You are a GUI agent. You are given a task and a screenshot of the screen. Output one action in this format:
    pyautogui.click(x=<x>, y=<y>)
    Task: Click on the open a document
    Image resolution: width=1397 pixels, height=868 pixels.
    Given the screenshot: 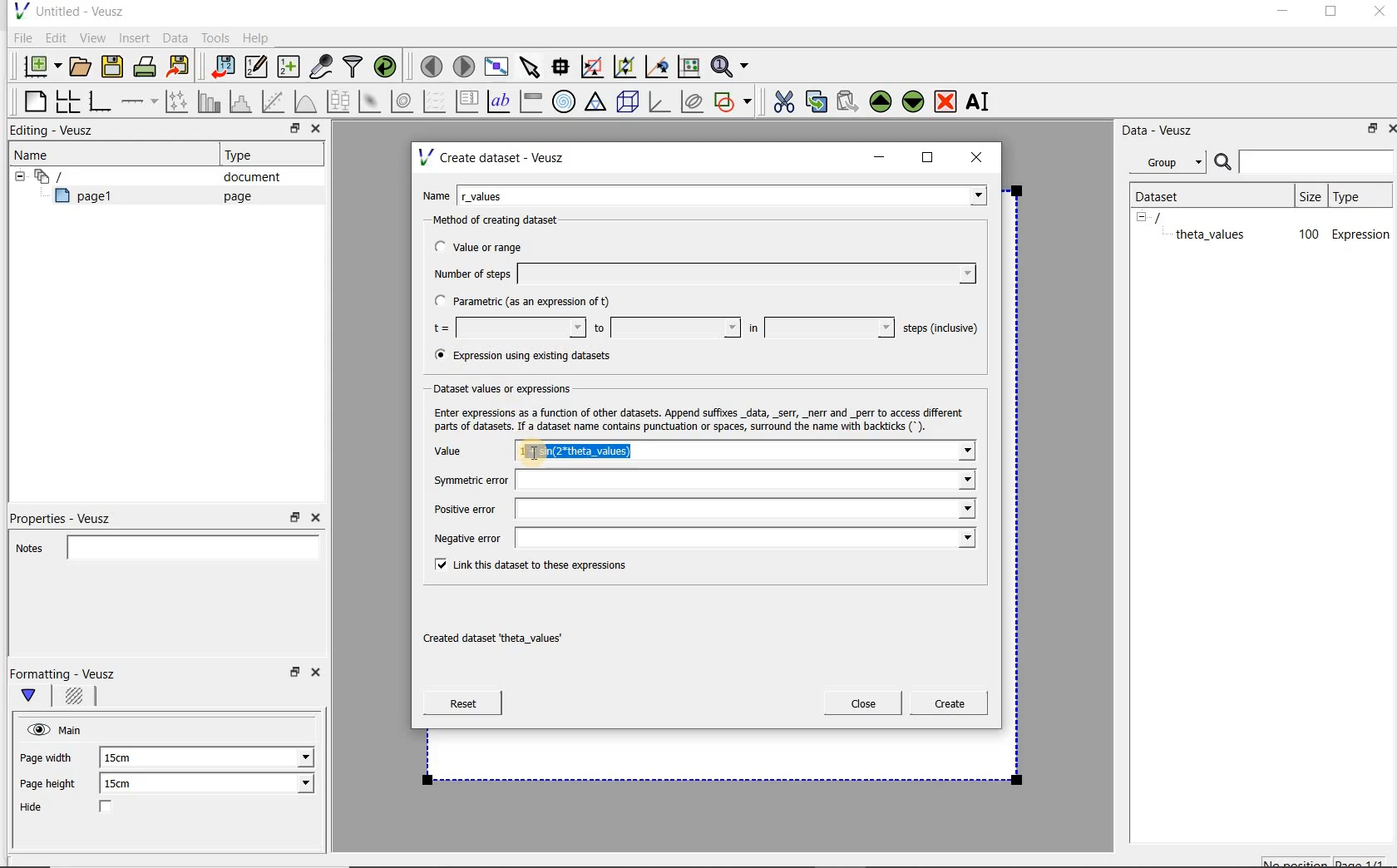 What is the action you would take?
    pyautogui.click(x=82, y=65)
    